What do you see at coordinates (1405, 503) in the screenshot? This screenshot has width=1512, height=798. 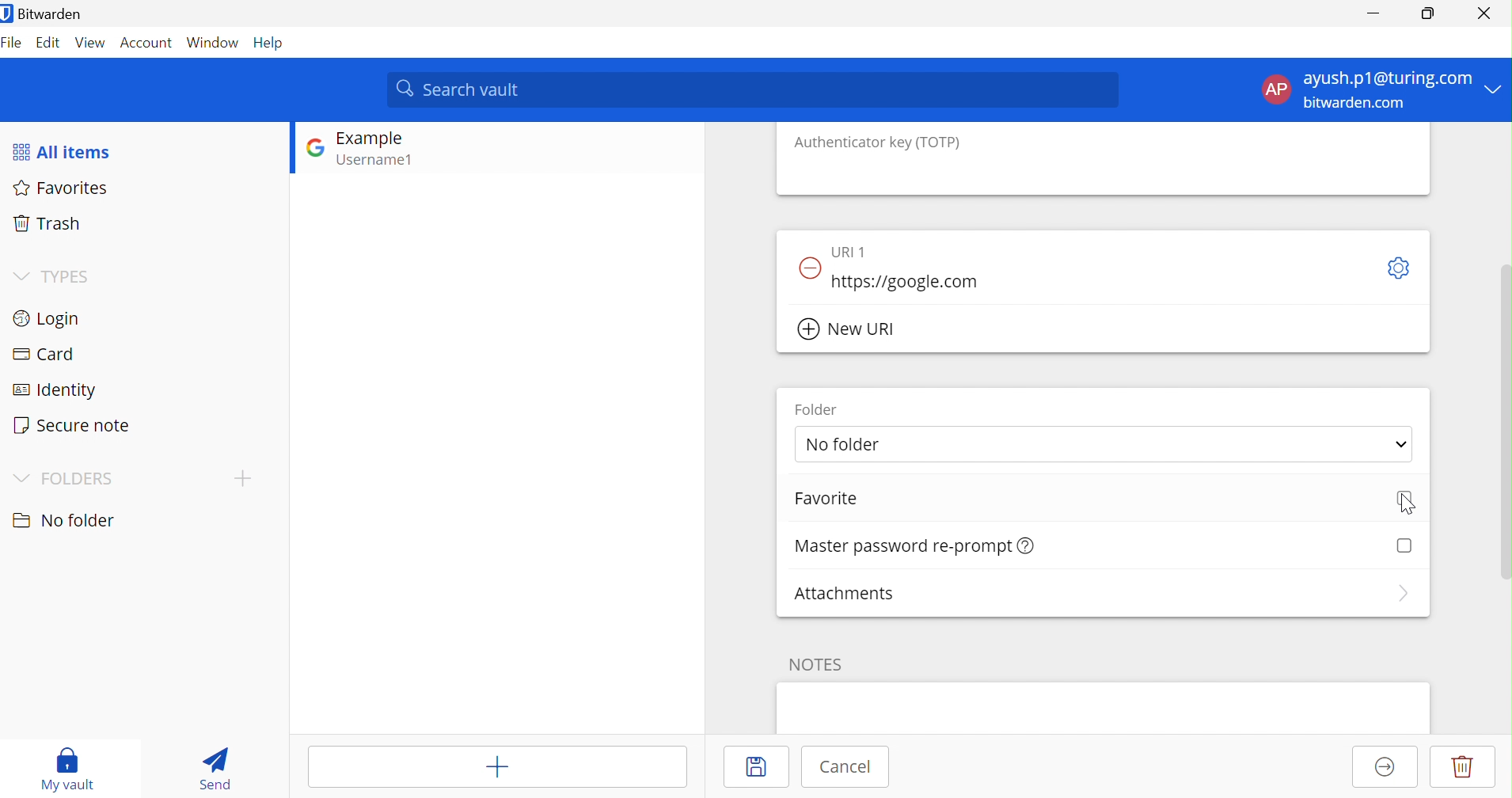 I see `Cursor` at bounding box center [1405, 503].